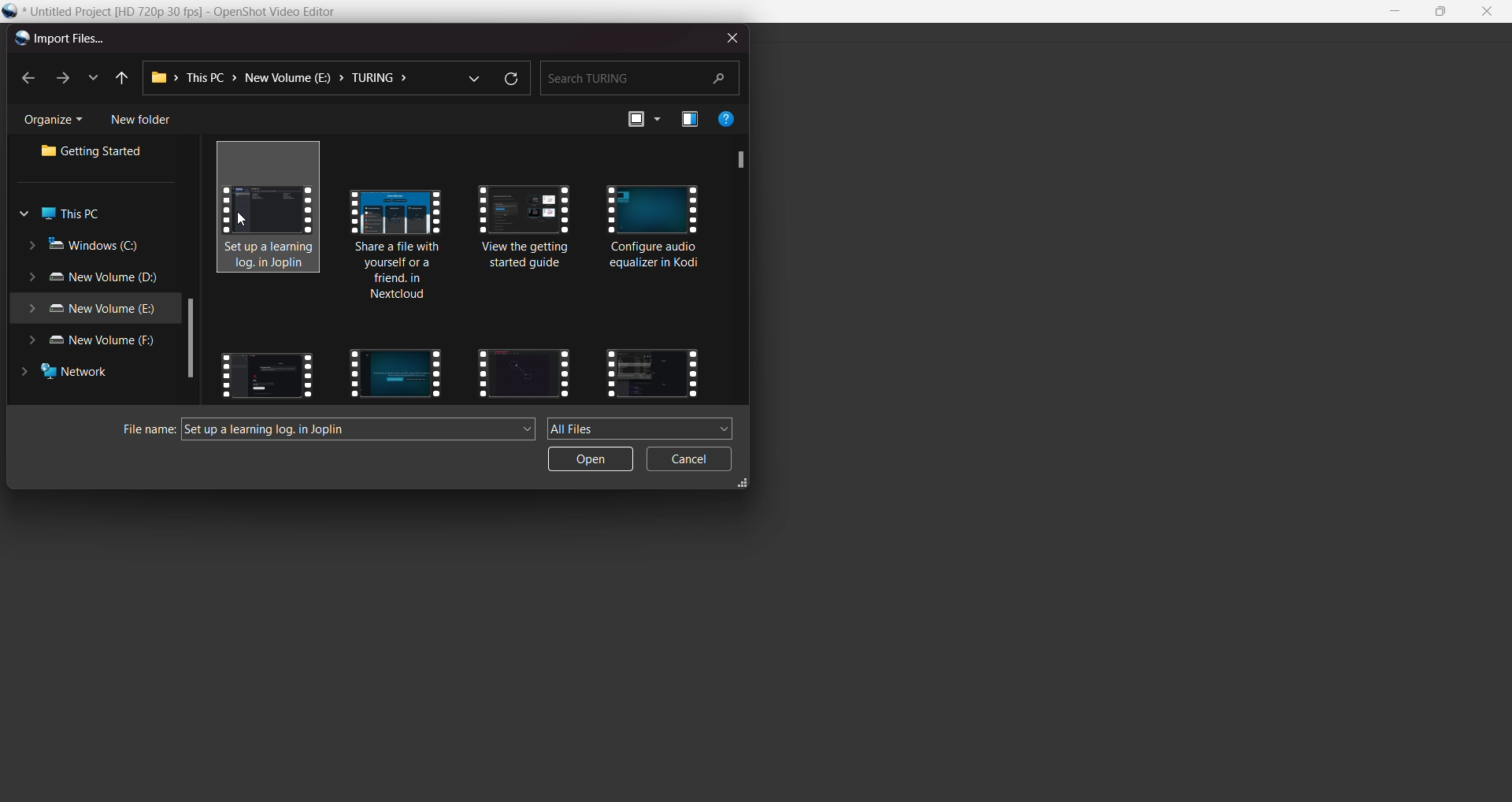  What do you see at coordinates (267, 371) in the screenshot?
I see `videos` at bounding box center [267, 371].